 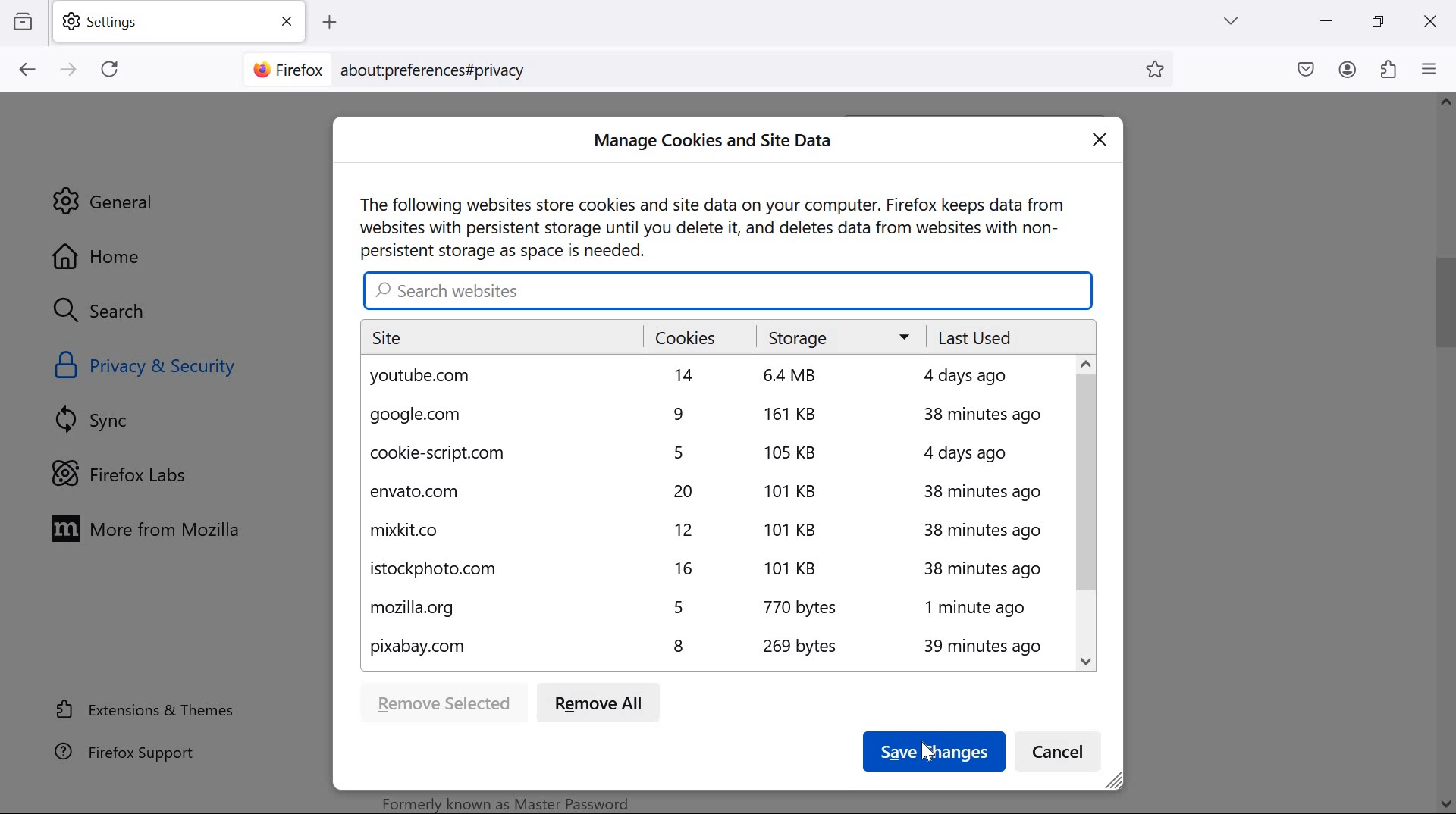 What do you see at coordinates (602, 706) in the screenshot?
I see `remove all` at bounding box center [602, 706].